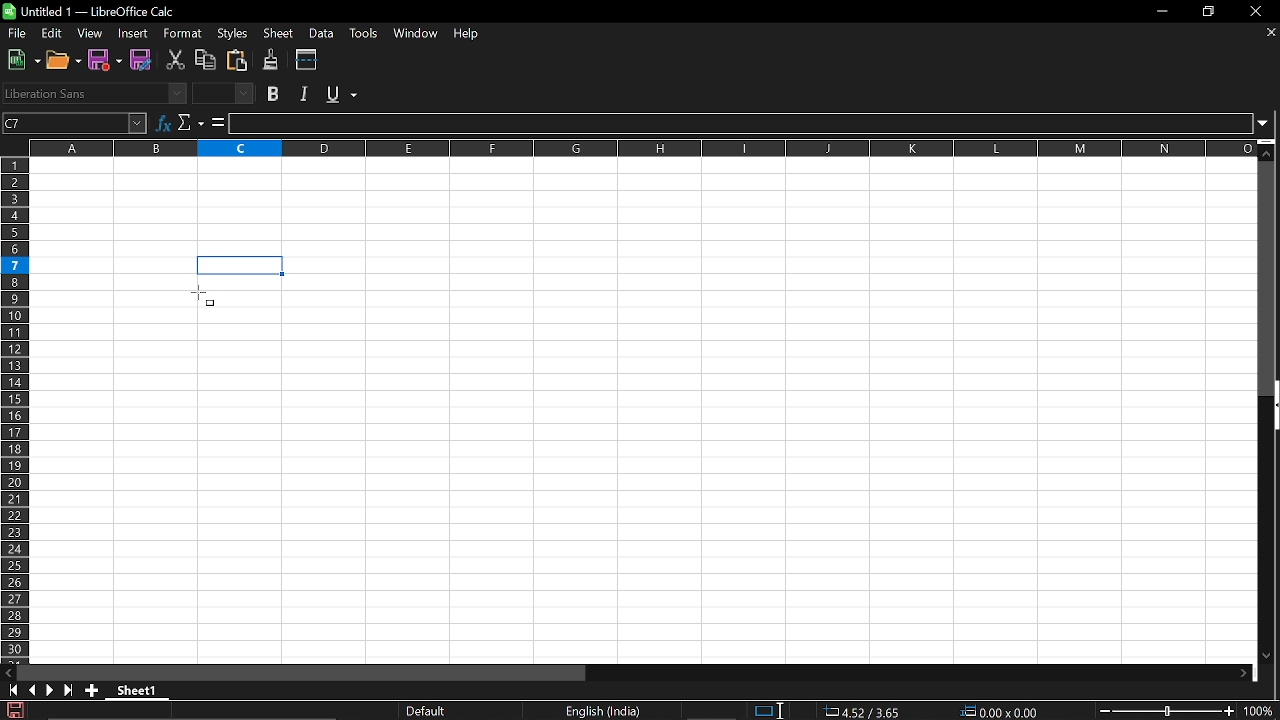 This screenshot has width=1280, height=720. I want to click on Split window, so click(307, 59).